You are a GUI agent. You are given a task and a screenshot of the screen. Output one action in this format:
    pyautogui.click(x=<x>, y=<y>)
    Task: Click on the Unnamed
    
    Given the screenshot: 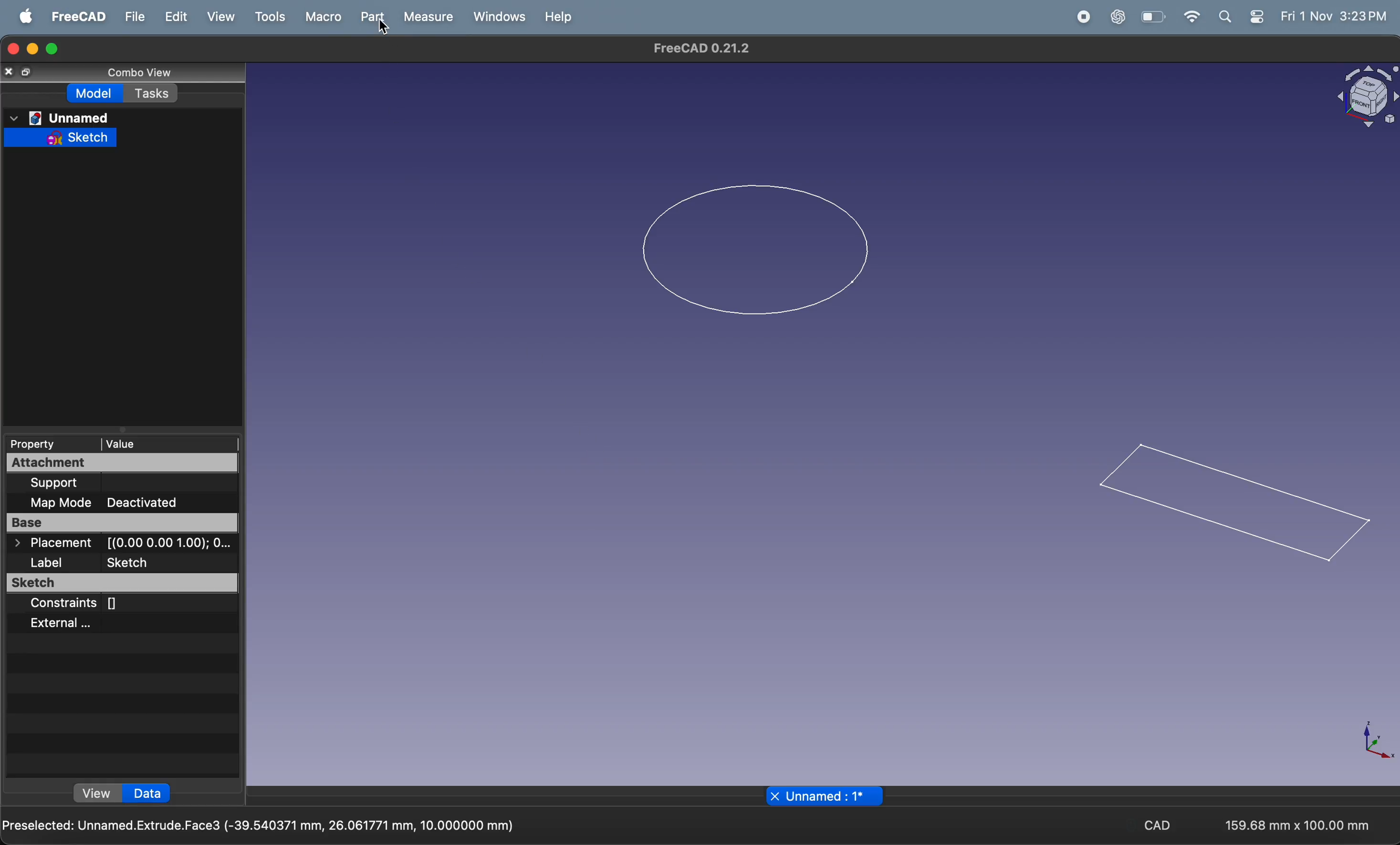 What is the action you would take?
    pyautogui.click(x=60, y=117)
    